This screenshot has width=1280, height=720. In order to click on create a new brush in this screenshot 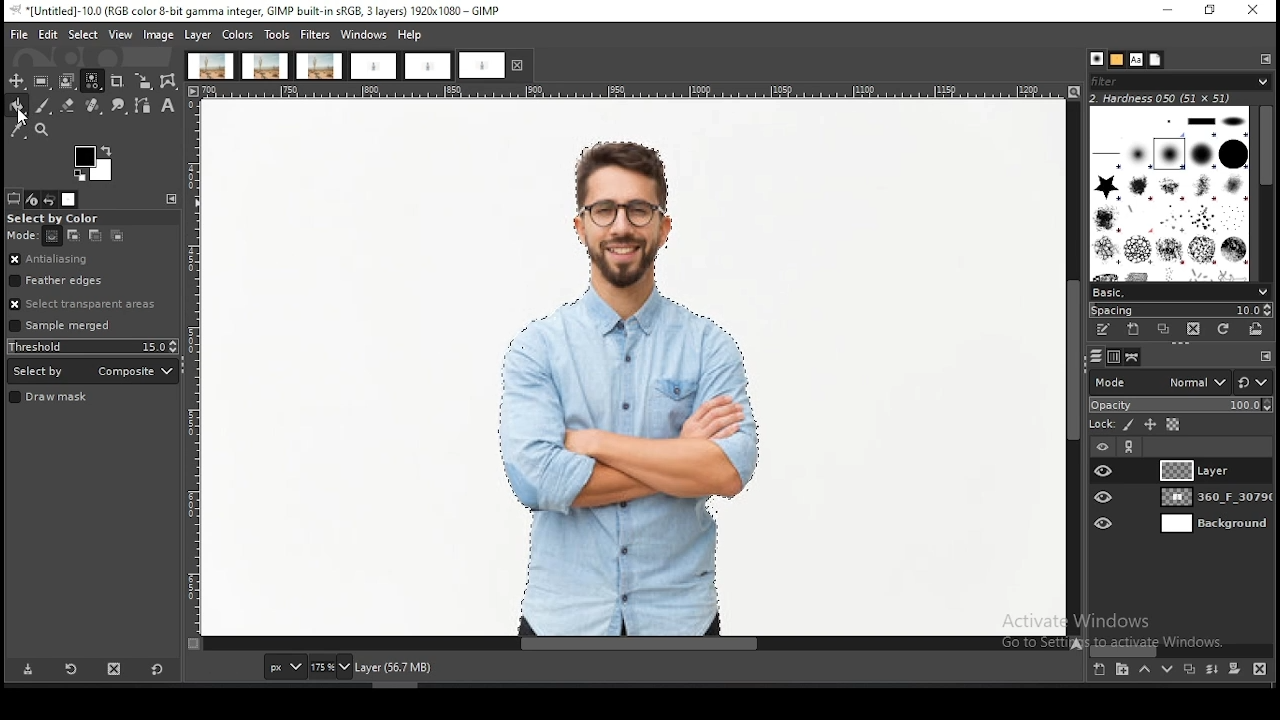, I will do `click(1134, 330)`.